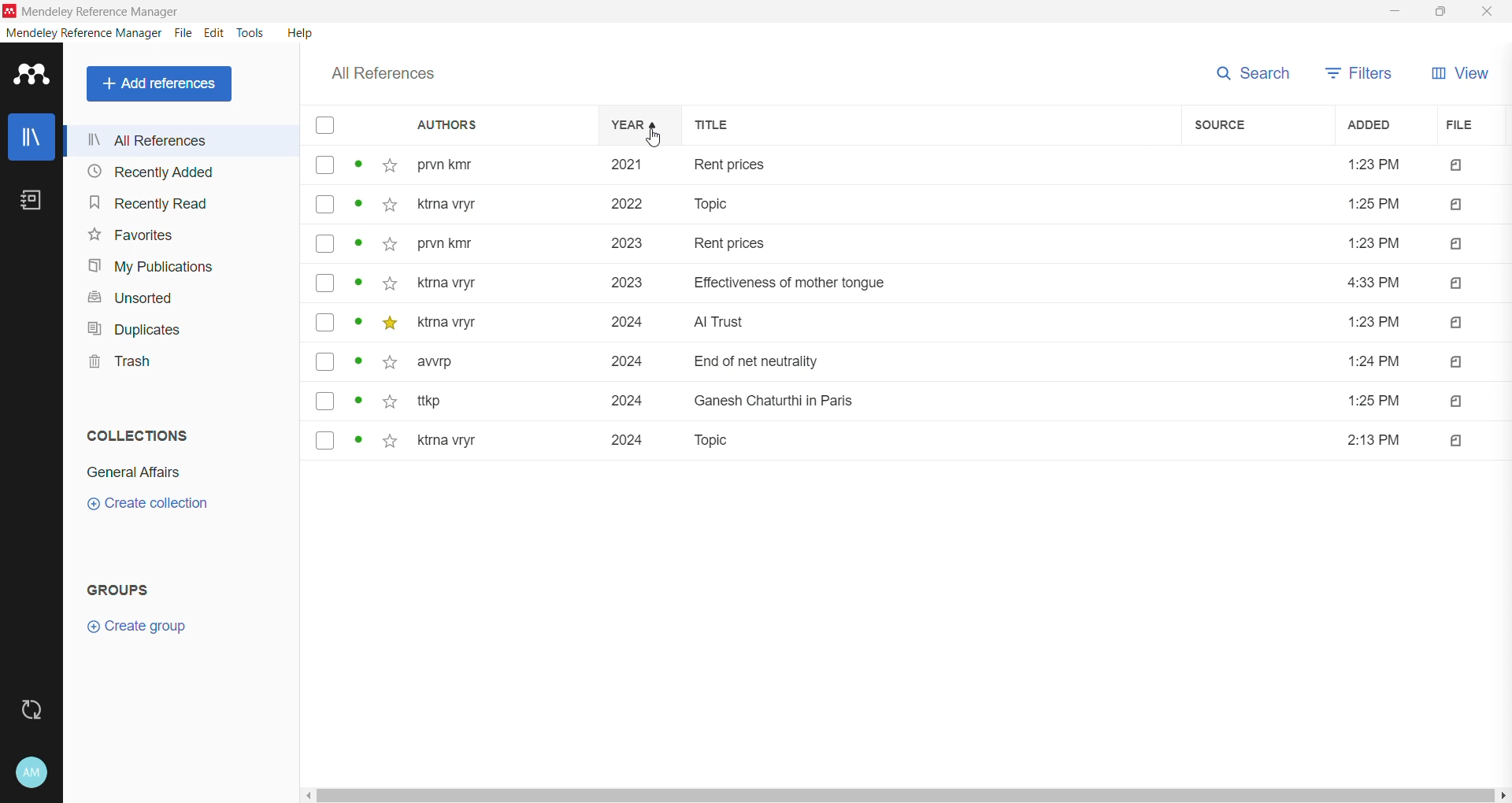 The height and width of the screenshot is (803, 1512). I want to click on File type, so click(1458, 165).